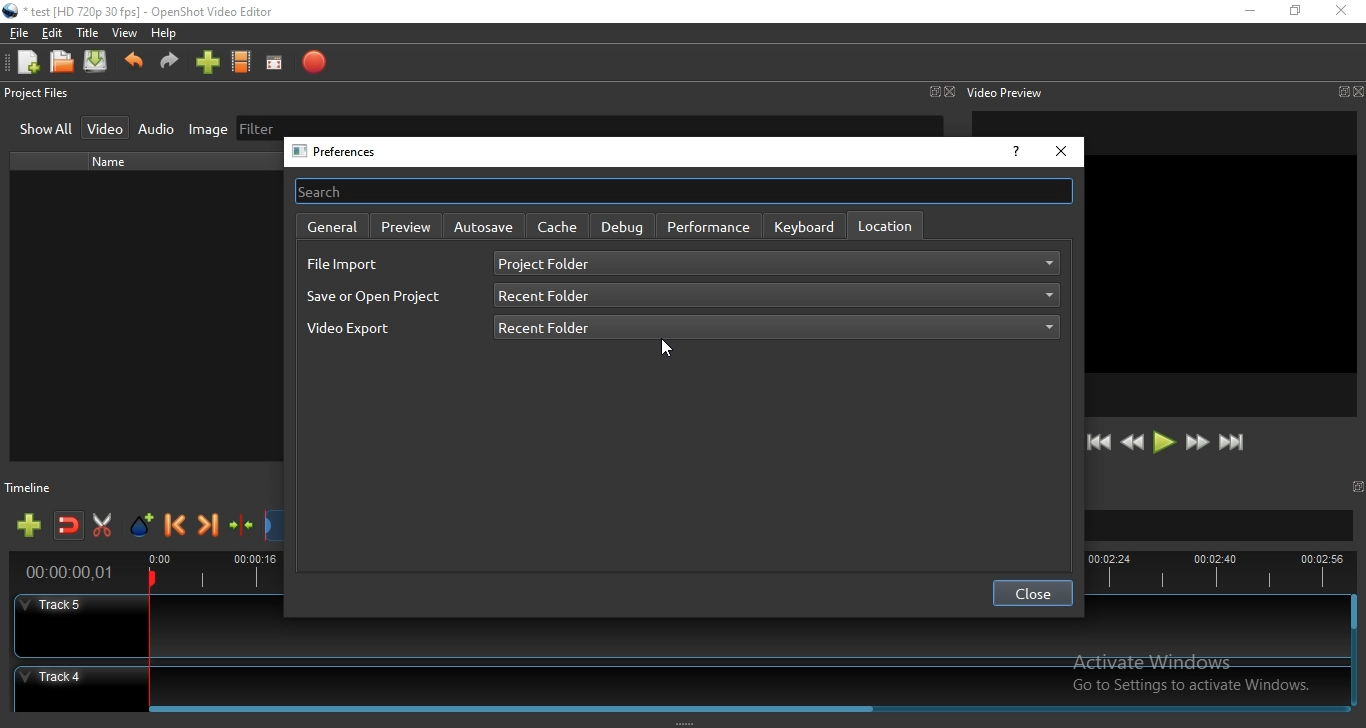 The width and height of the screenshot is (1366, 728). What do you see at coordinates (11, 11) in the screenshot?
I see `Openshot Desktop icon` at bounding box center [11, 11].